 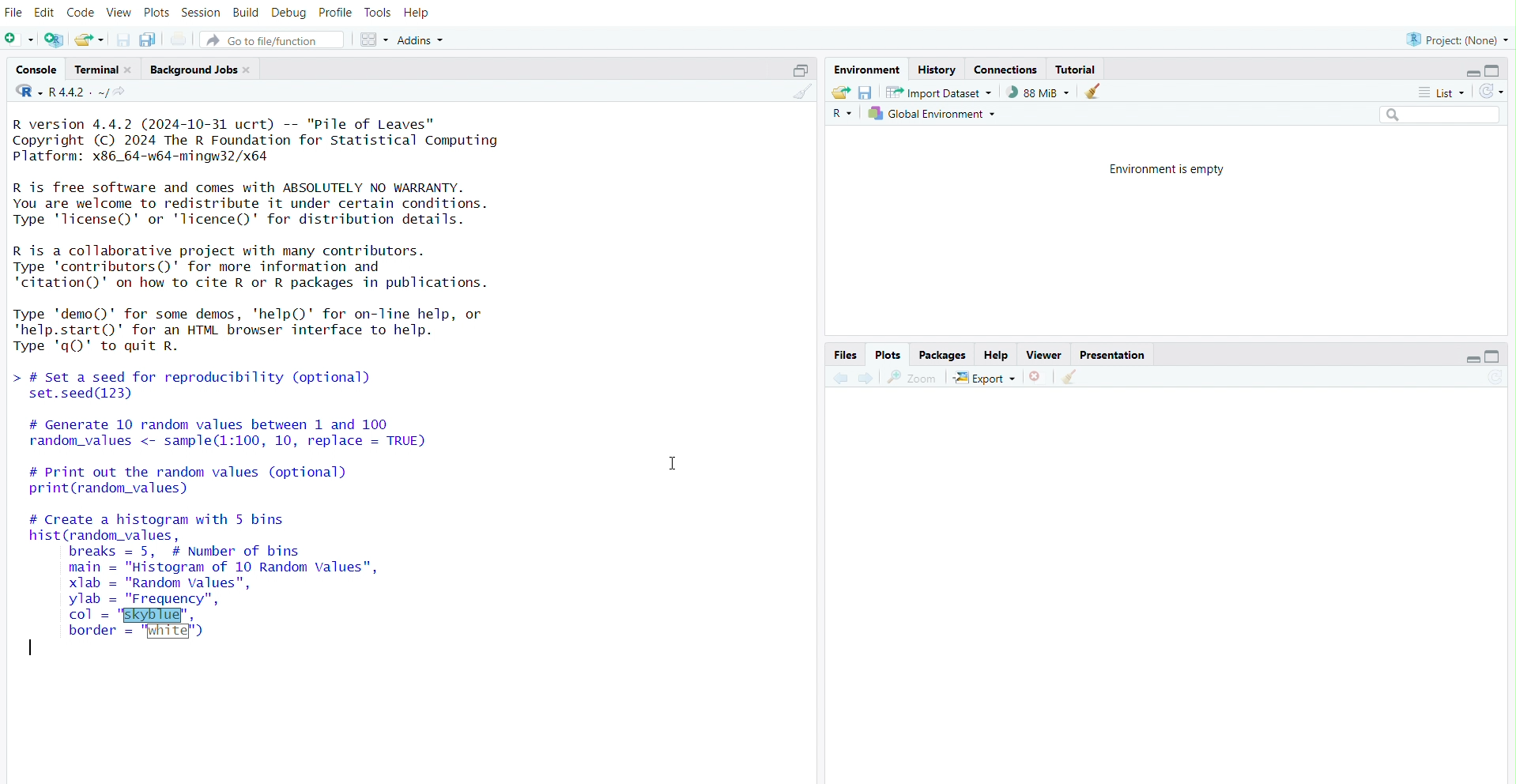 What do you see at coordinates (122, 39) in the screenshot?
I see `save current document` at bounding box center [122, 39].